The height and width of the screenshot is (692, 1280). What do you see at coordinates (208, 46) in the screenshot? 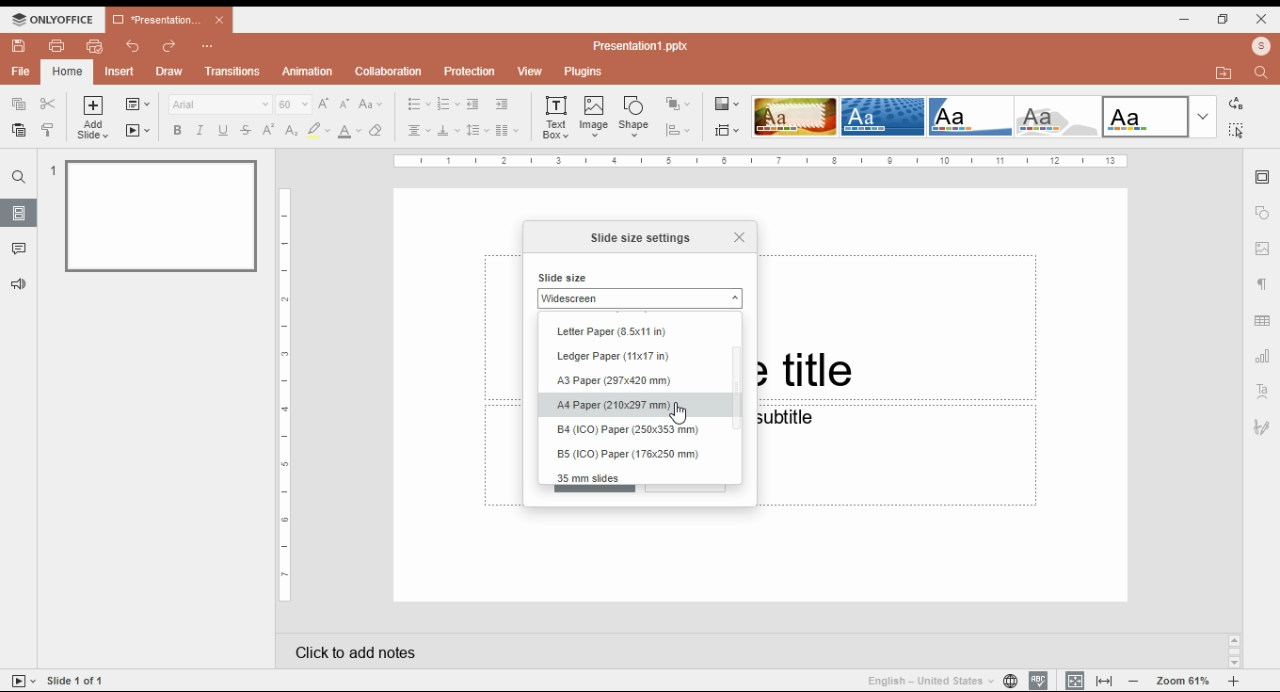
I see `Customize quick access` at bounding box center [208, 46].